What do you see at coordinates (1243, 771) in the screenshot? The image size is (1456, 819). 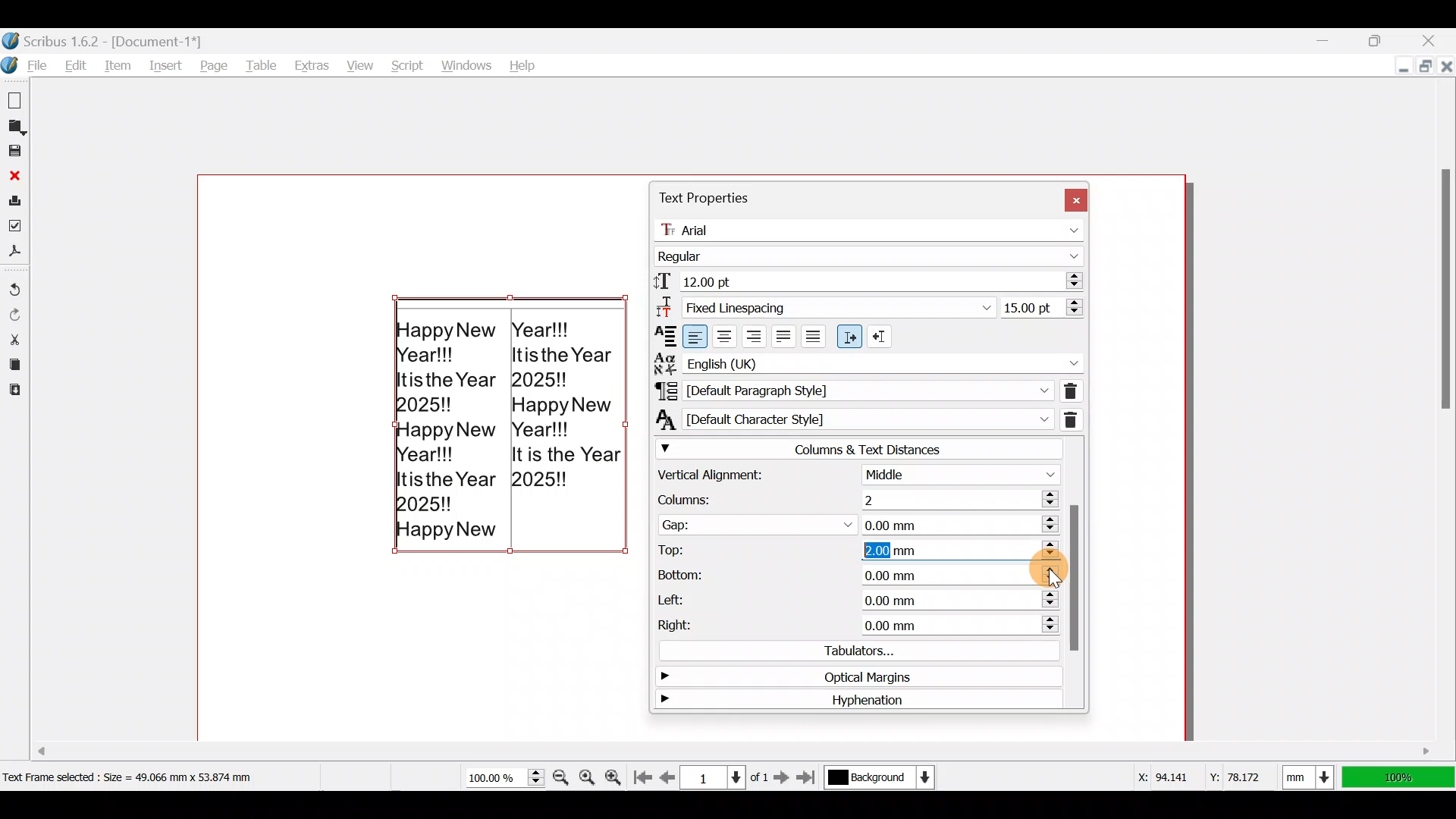 I see `Y-axis dimension values` at bounding box center [1243, 771].